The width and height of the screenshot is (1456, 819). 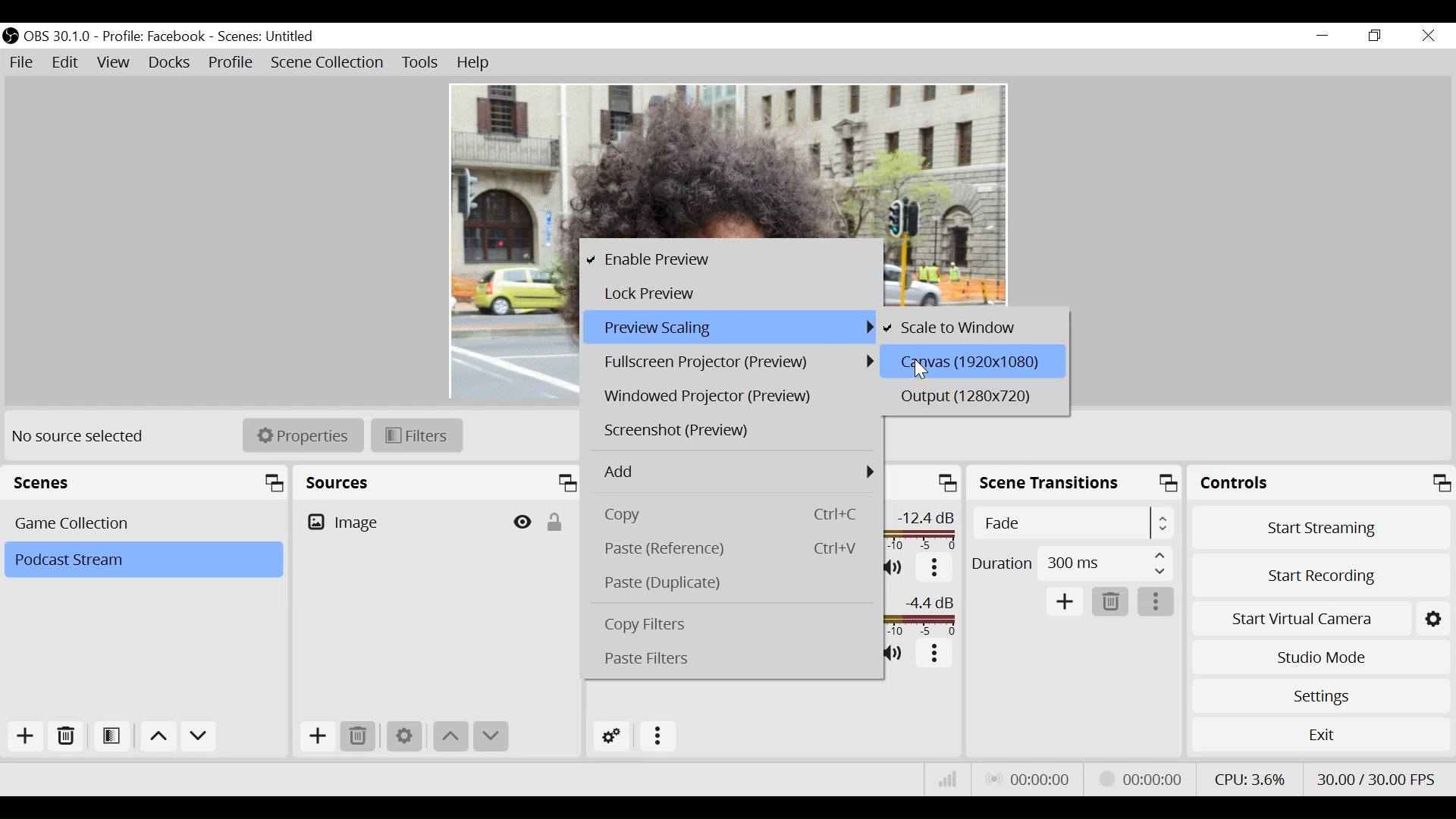 What do you see at coordinates (613, 739) in the screenshot?
I see `Advanced Audio Settings` at bounding box center [613, 739].